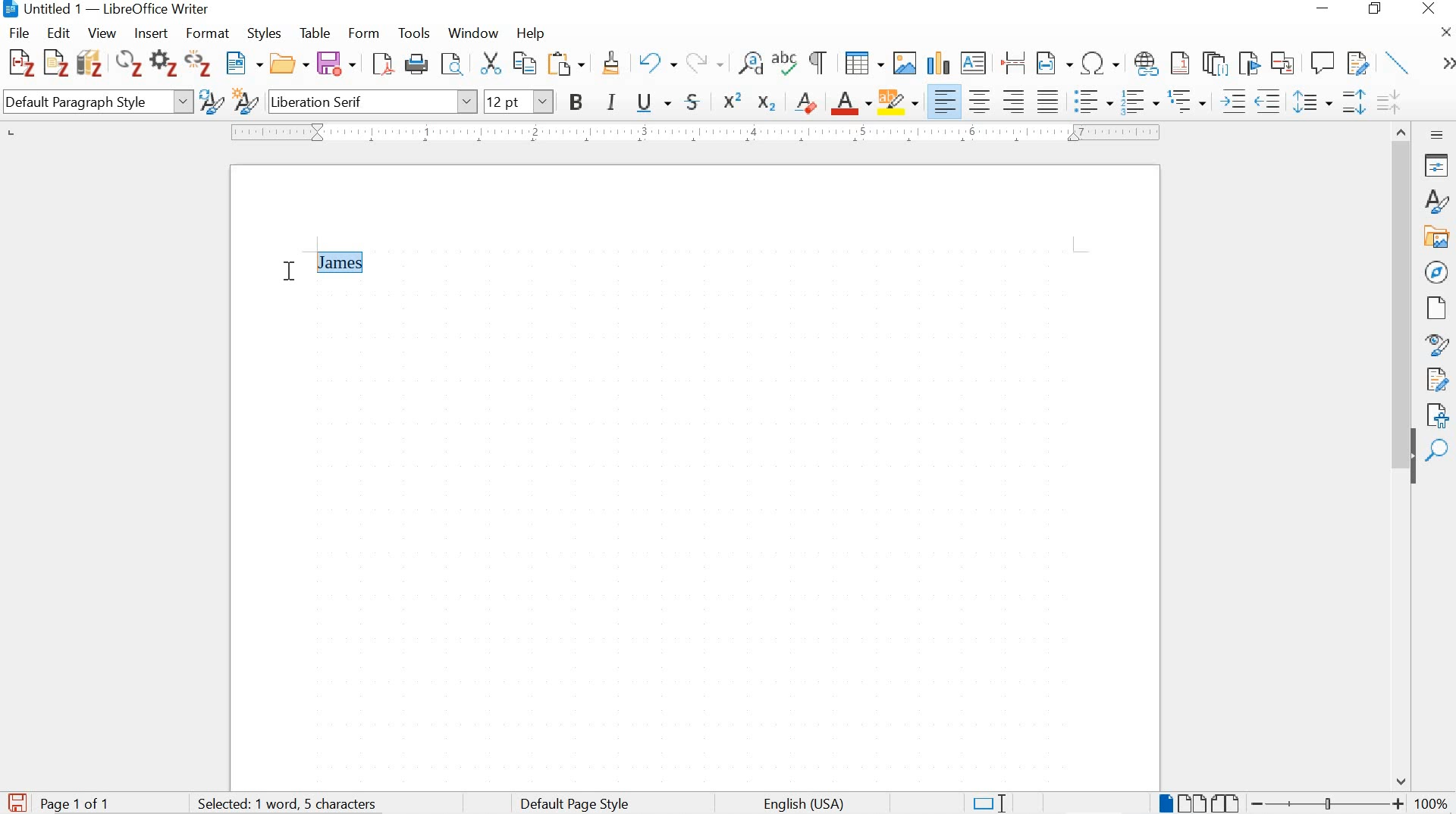 The height and width of the screenshot is (814, 1456). I want to click on increase paragraph spacing, so click(1353, 104).